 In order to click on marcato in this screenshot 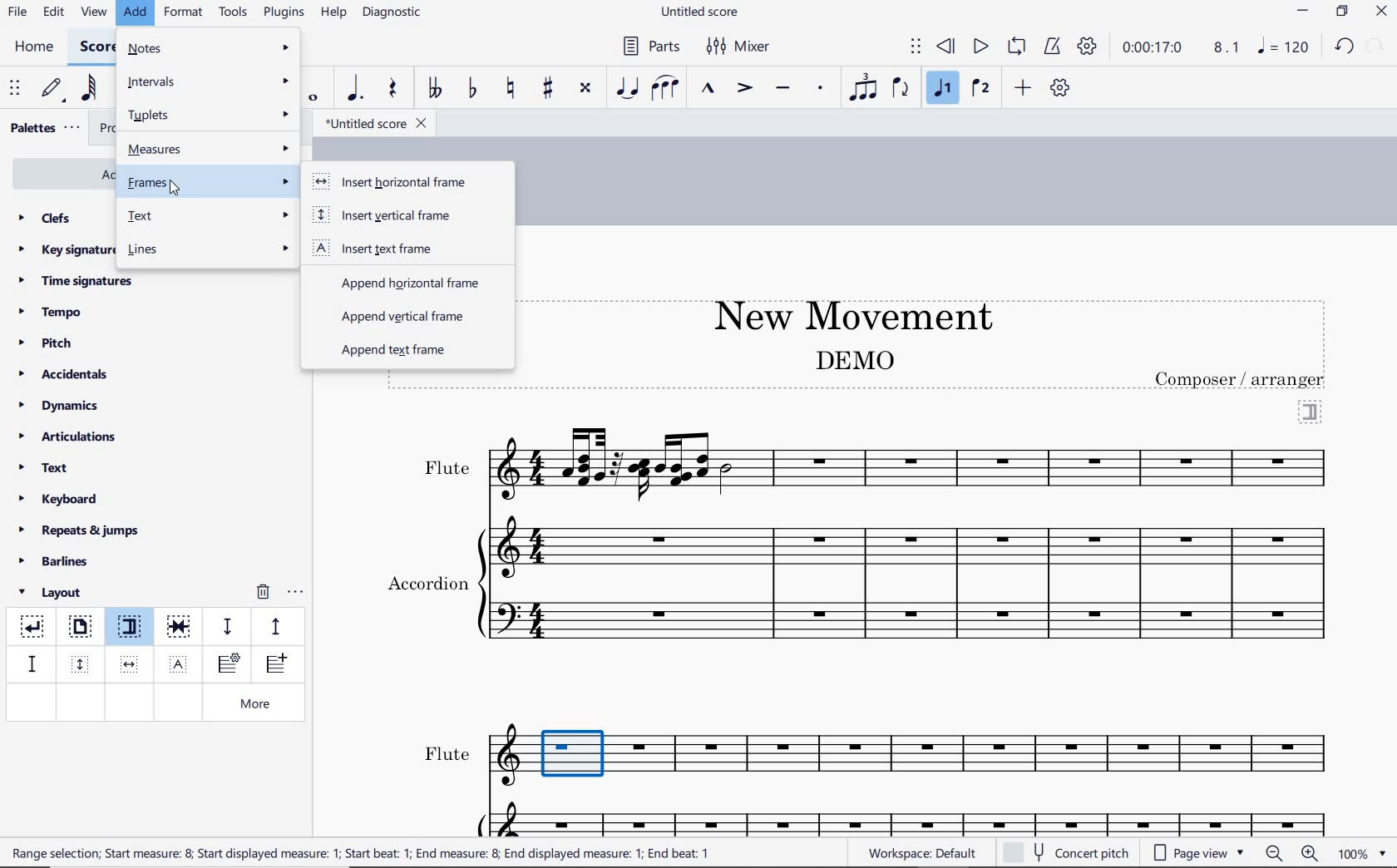, I will do `click(710, 90)`.